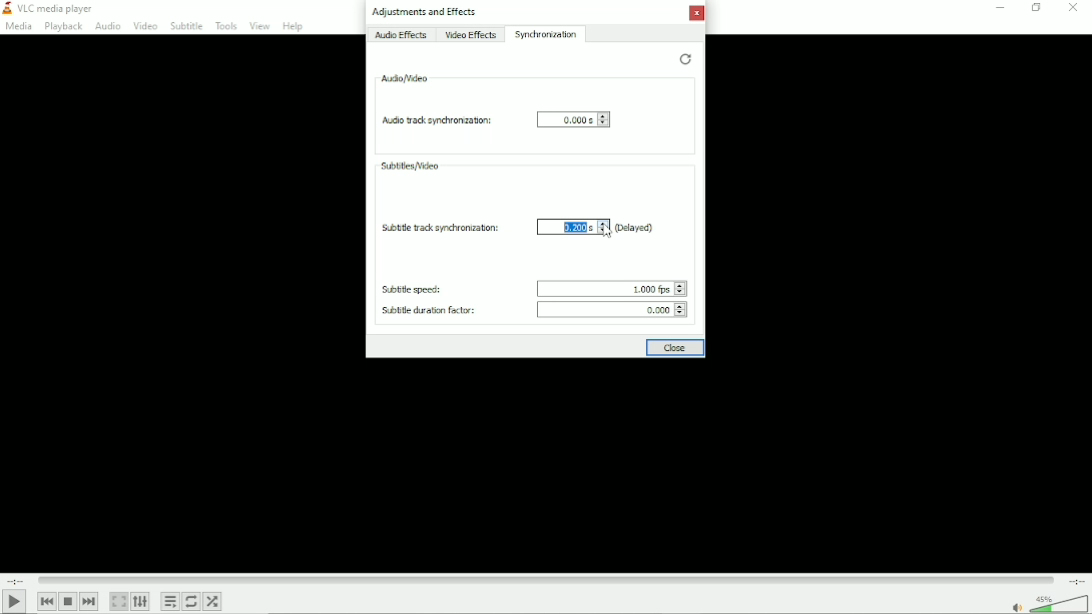 The width and height of the screenshot is (1092, 614). What do you see at coordinates (106, 26) in the screenshot?
I see `Audio` at bounding box center [106, 26].